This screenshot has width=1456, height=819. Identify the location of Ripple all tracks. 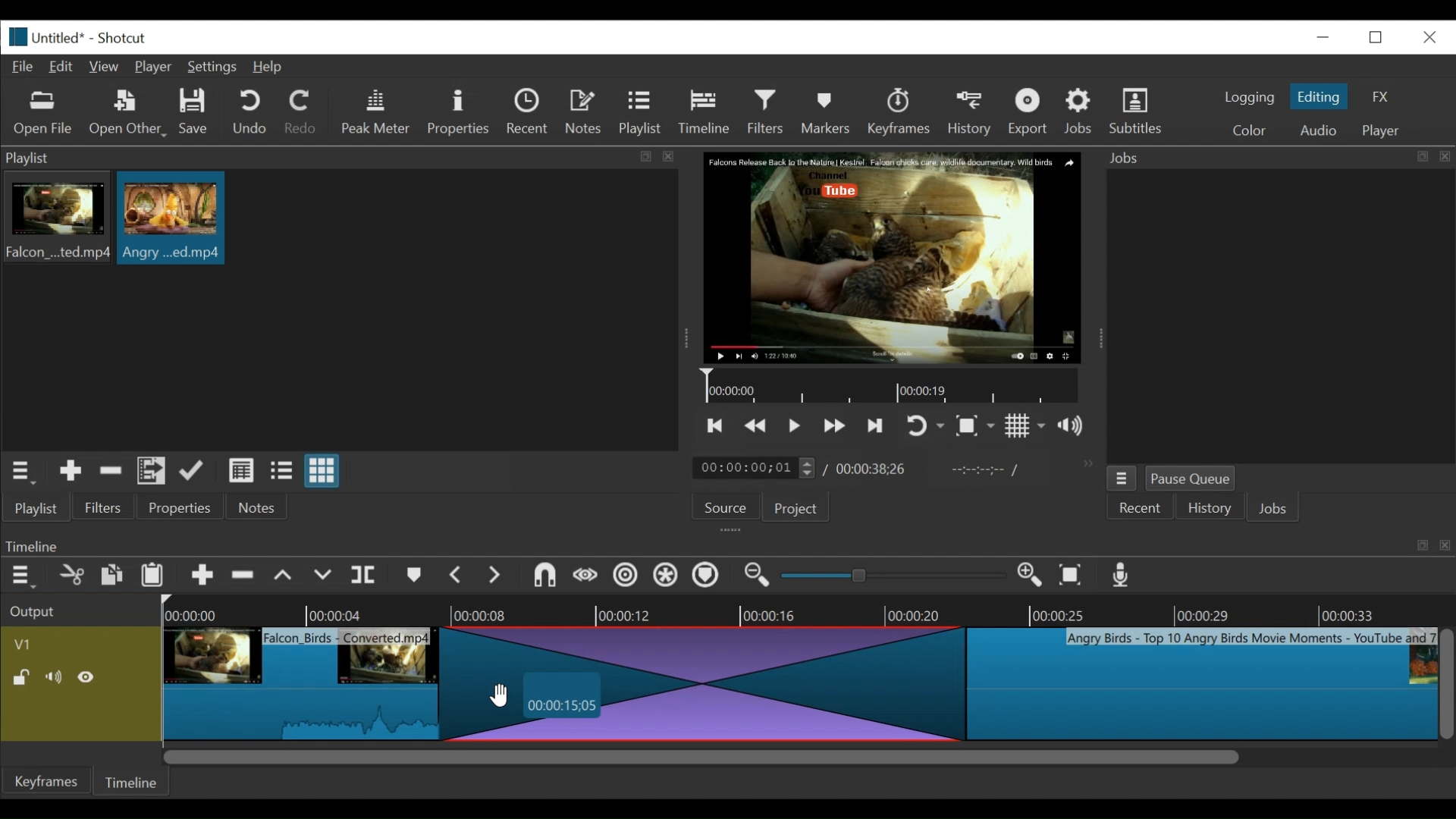
(665, 577).